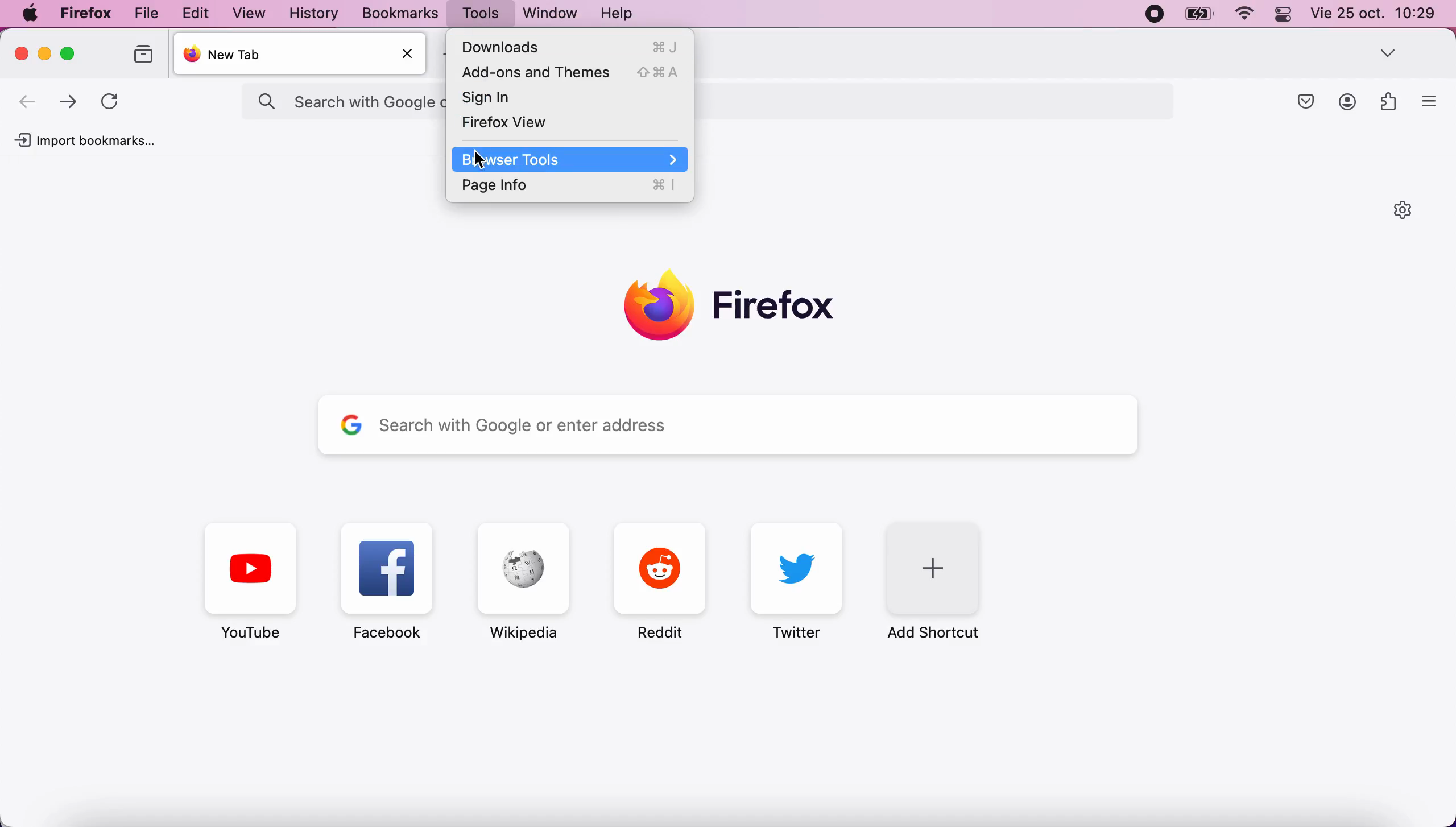 The width and height of the screenshot is (1456, 827). Describe the element at coordinates (1247, 15) in the screenshot. I see `Wifi` at that location.